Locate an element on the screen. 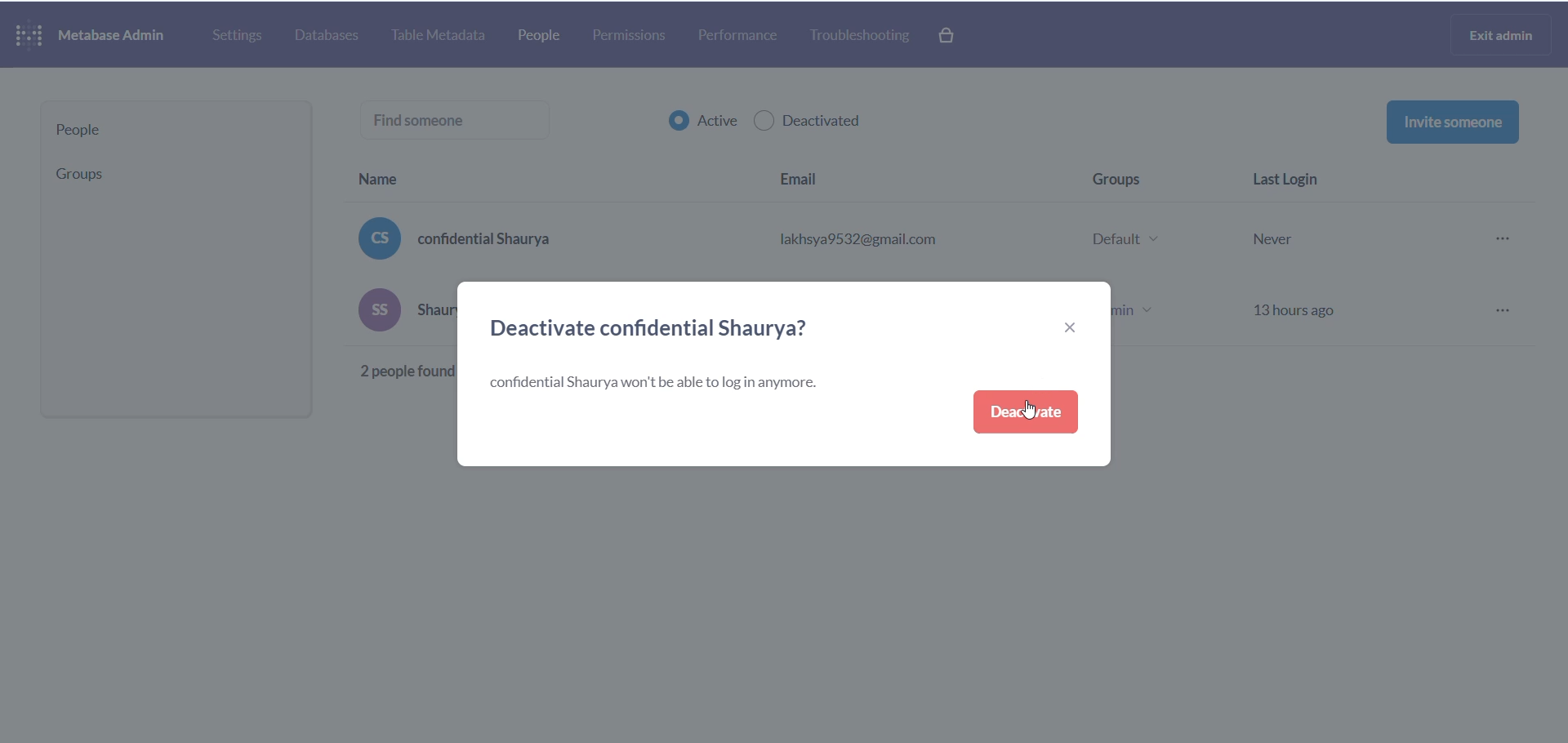  NAME AND LOGO is located at coordinates (105, 33).